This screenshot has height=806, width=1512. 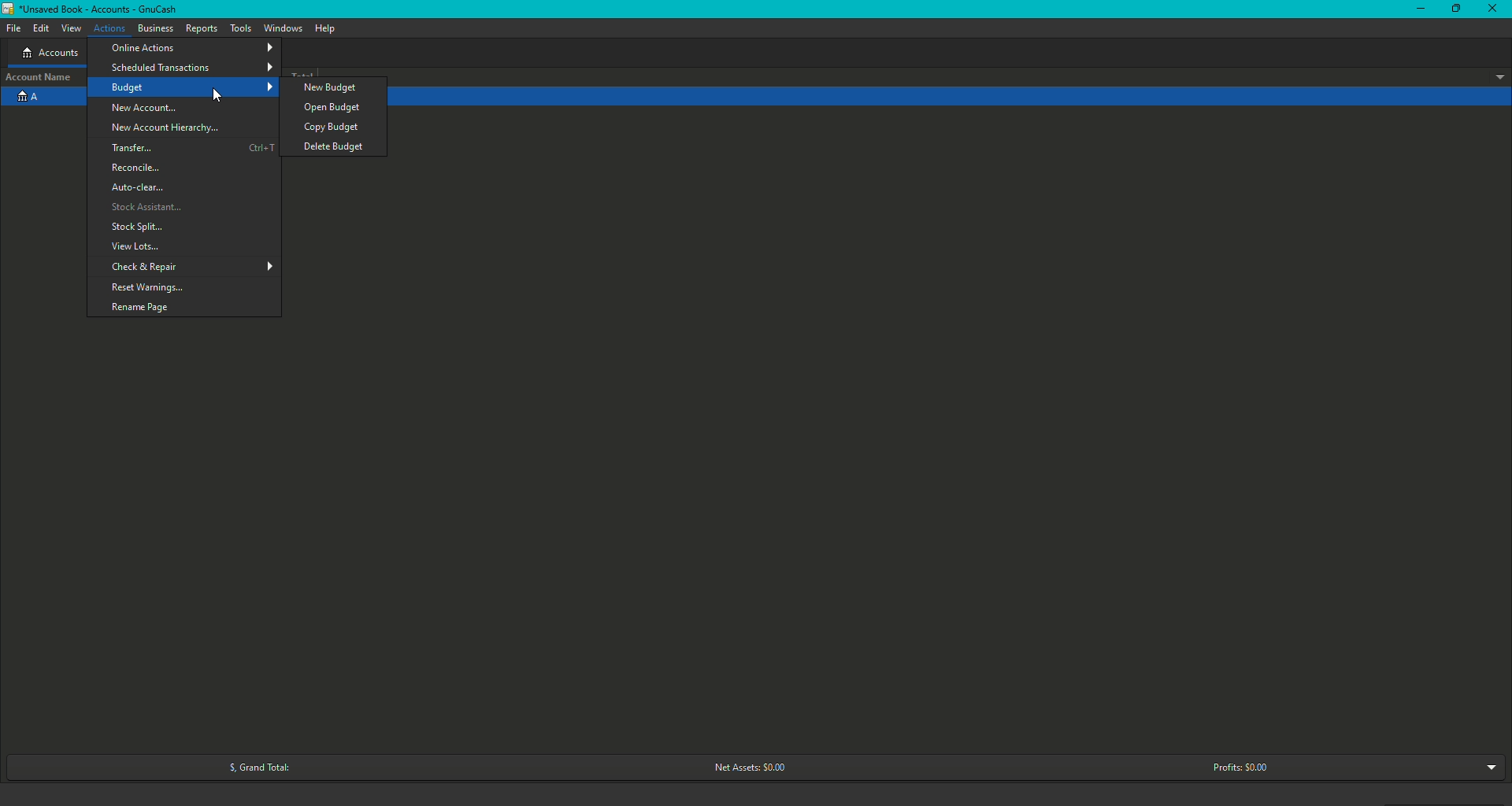 What do you see at coordinates (201, 31) in the screenshot?
I see `Reports` at bounding box center [201, 31].